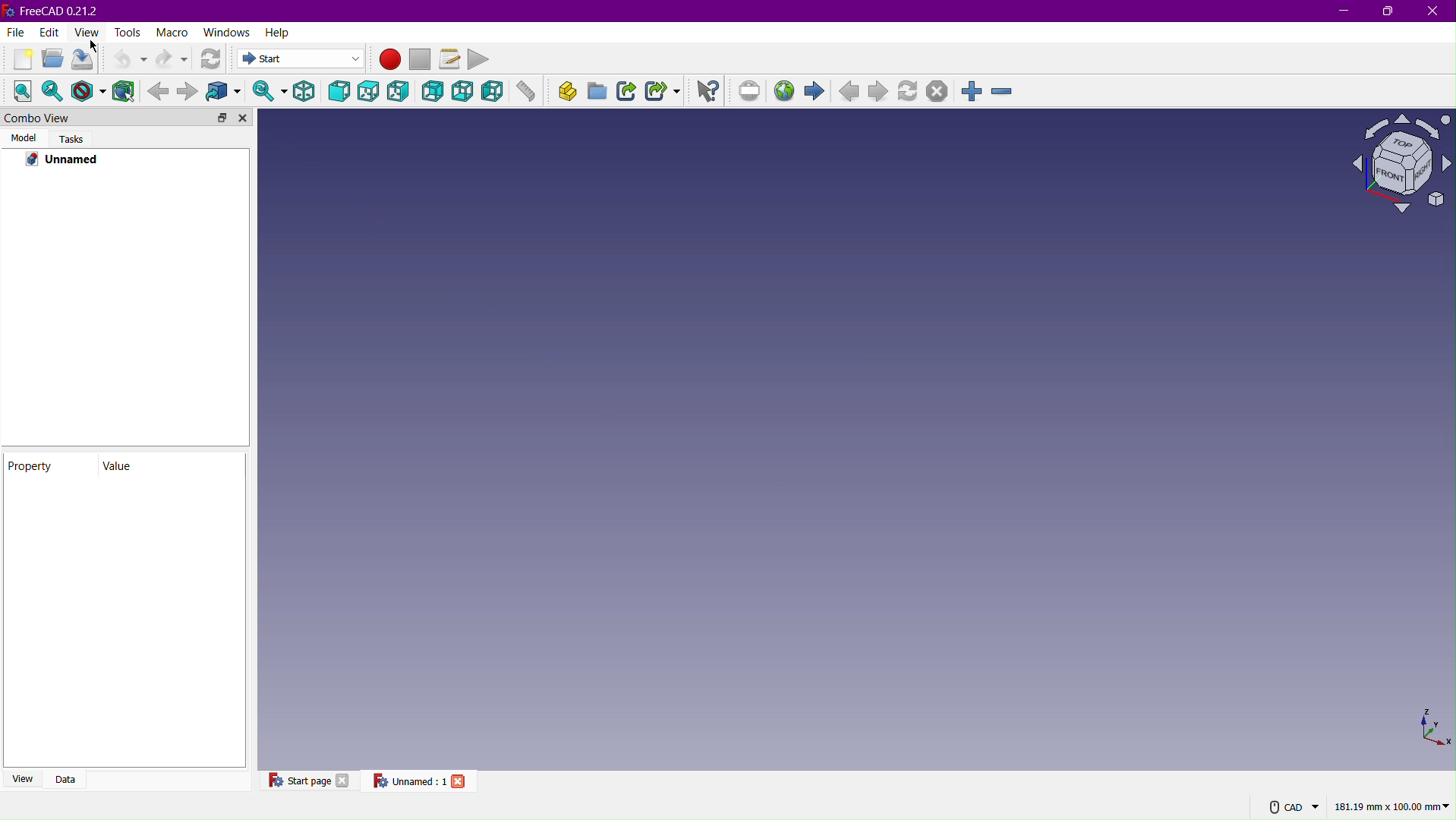  Describe the element at coordinates (88, 45) in the screenshot. I see `cursor` at that location.